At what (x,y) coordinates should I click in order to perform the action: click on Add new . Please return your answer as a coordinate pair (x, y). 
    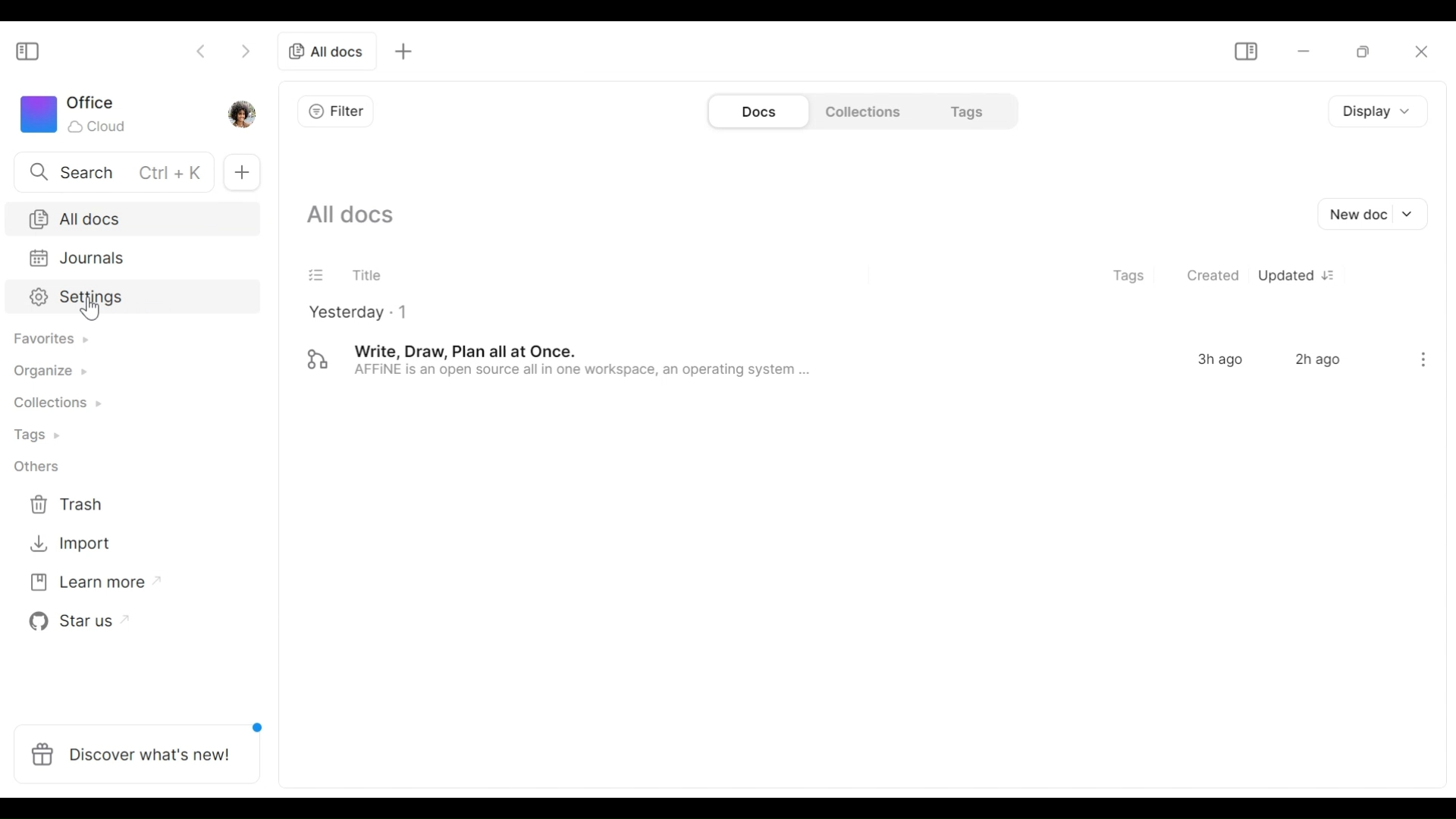
    Looking at the image, I should click on (243, 170).